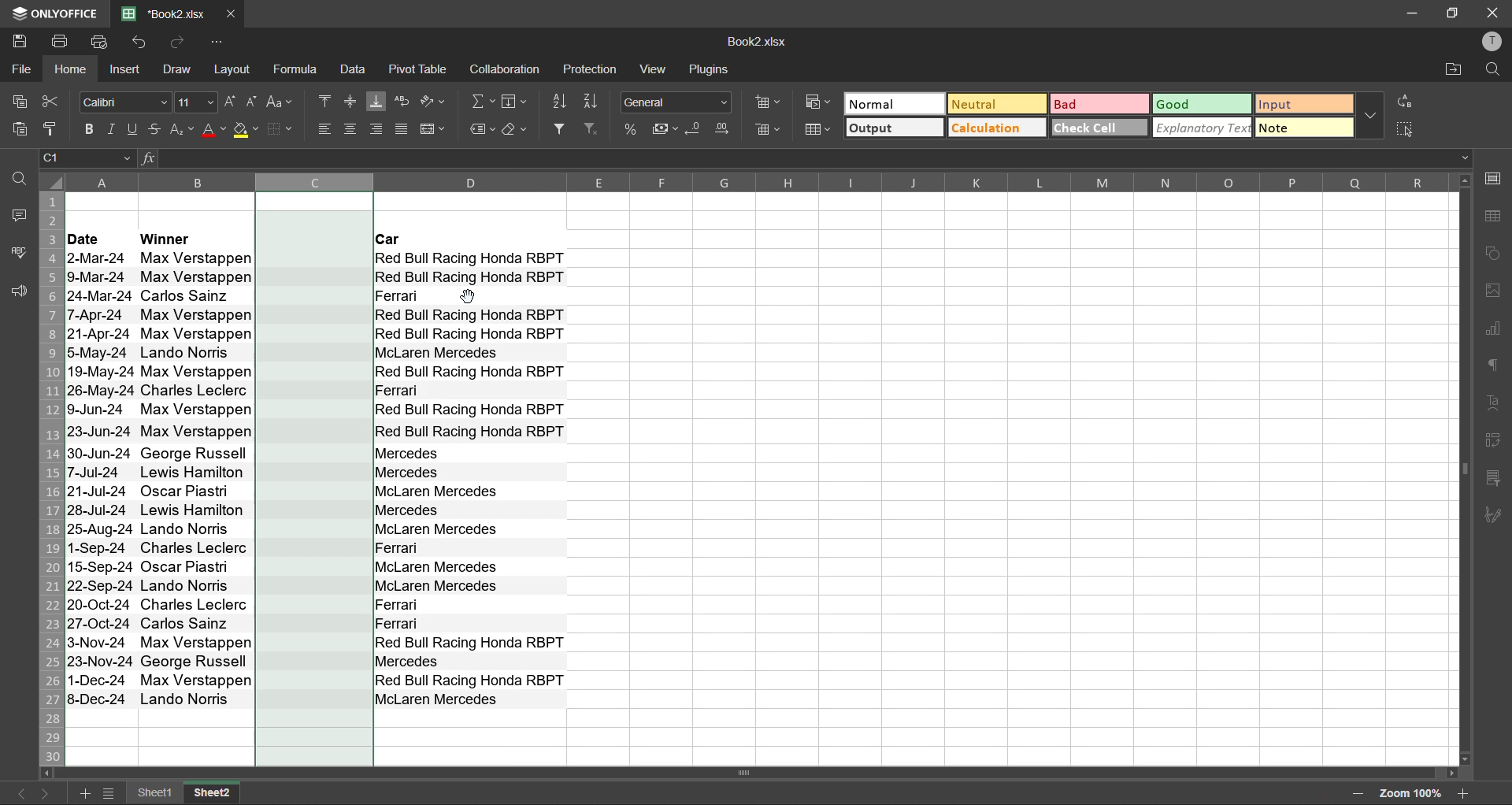 This screenshot has height=805, width=1512. Describe the element at coordinates (561, 131) in the screenshot. I see `filter` at that location.